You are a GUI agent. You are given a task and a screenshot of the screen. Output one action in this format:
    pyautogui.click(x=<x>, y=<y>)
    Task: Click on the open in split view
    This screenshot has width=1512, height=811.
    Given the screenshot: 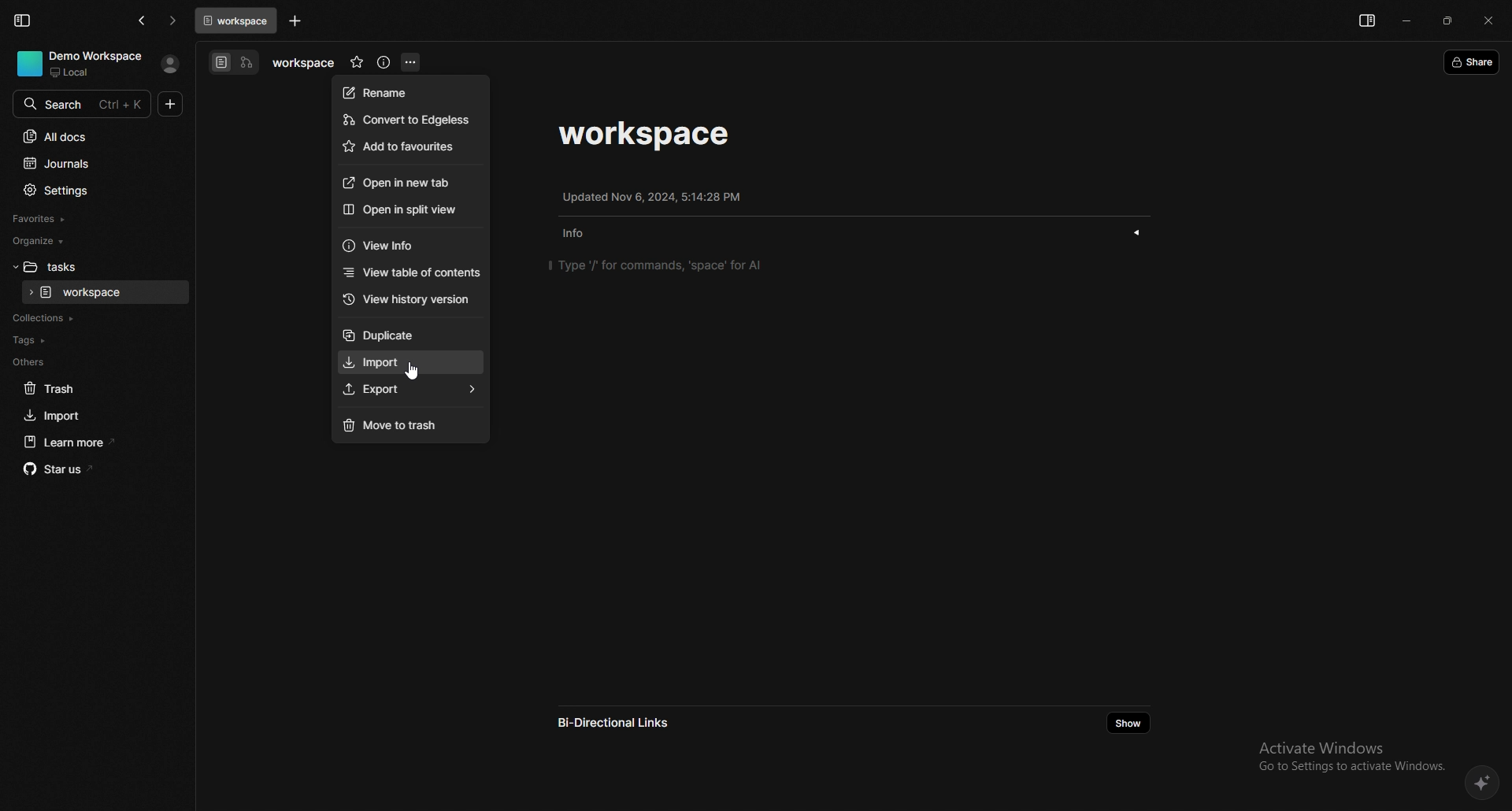 What is the action you would take?
    pyautogui.click(x=407, y=209)
    